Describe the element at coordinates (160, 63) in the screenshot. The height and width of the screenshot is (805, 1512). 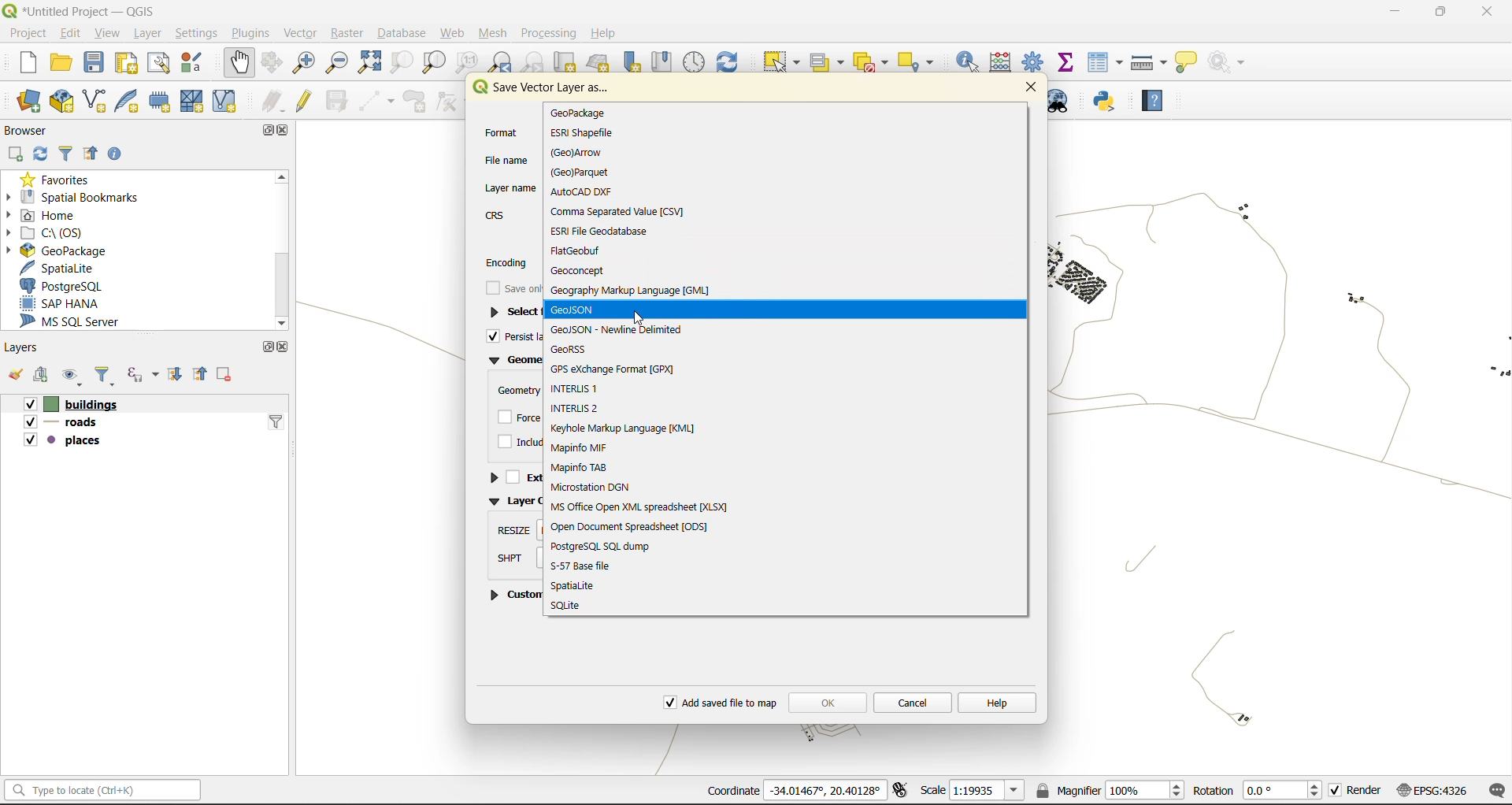
I see `show layout` at that location.